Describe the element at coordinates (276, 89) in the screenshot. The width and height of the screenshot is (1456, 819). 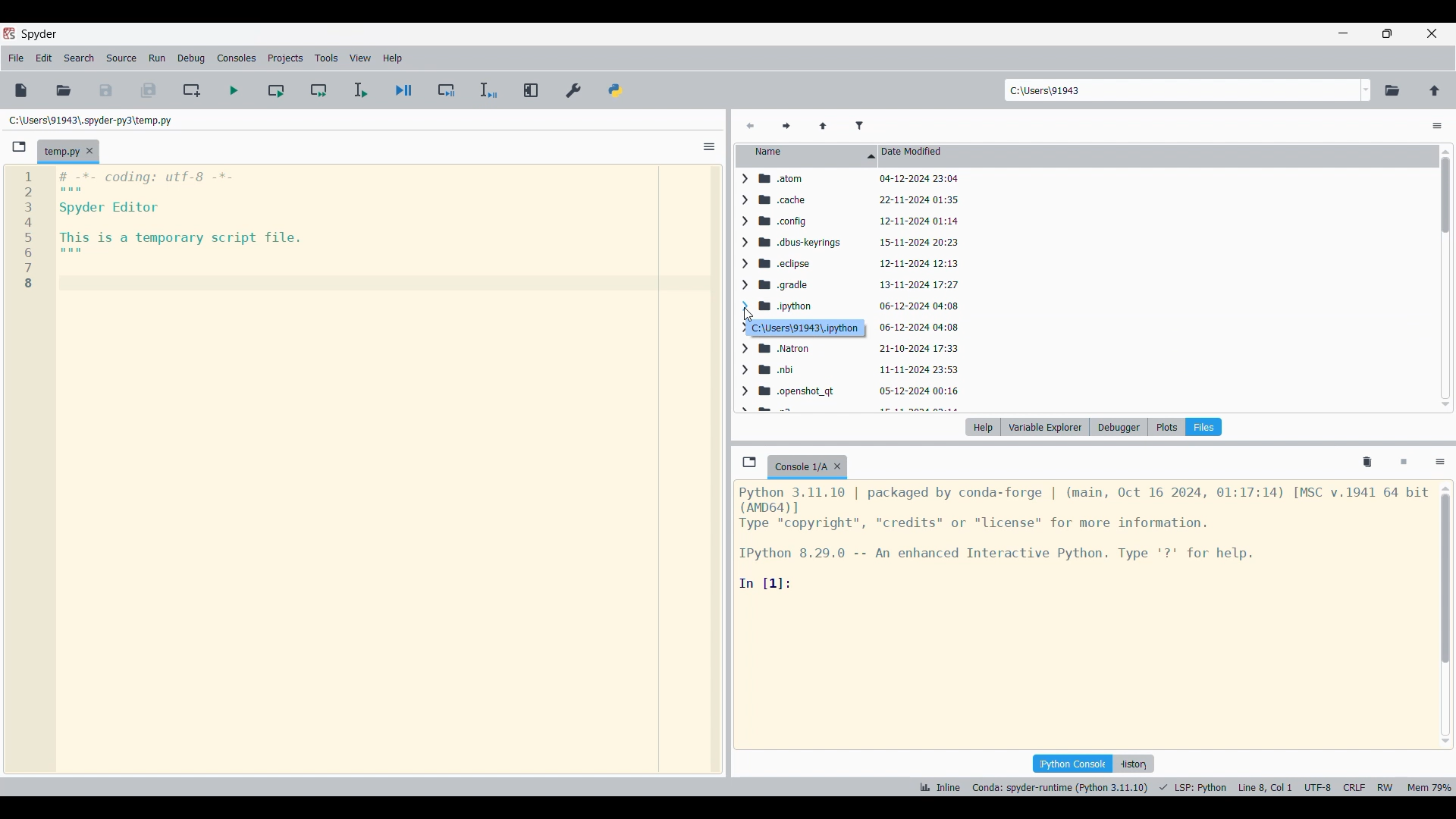
I see `Run current cell` at that location.